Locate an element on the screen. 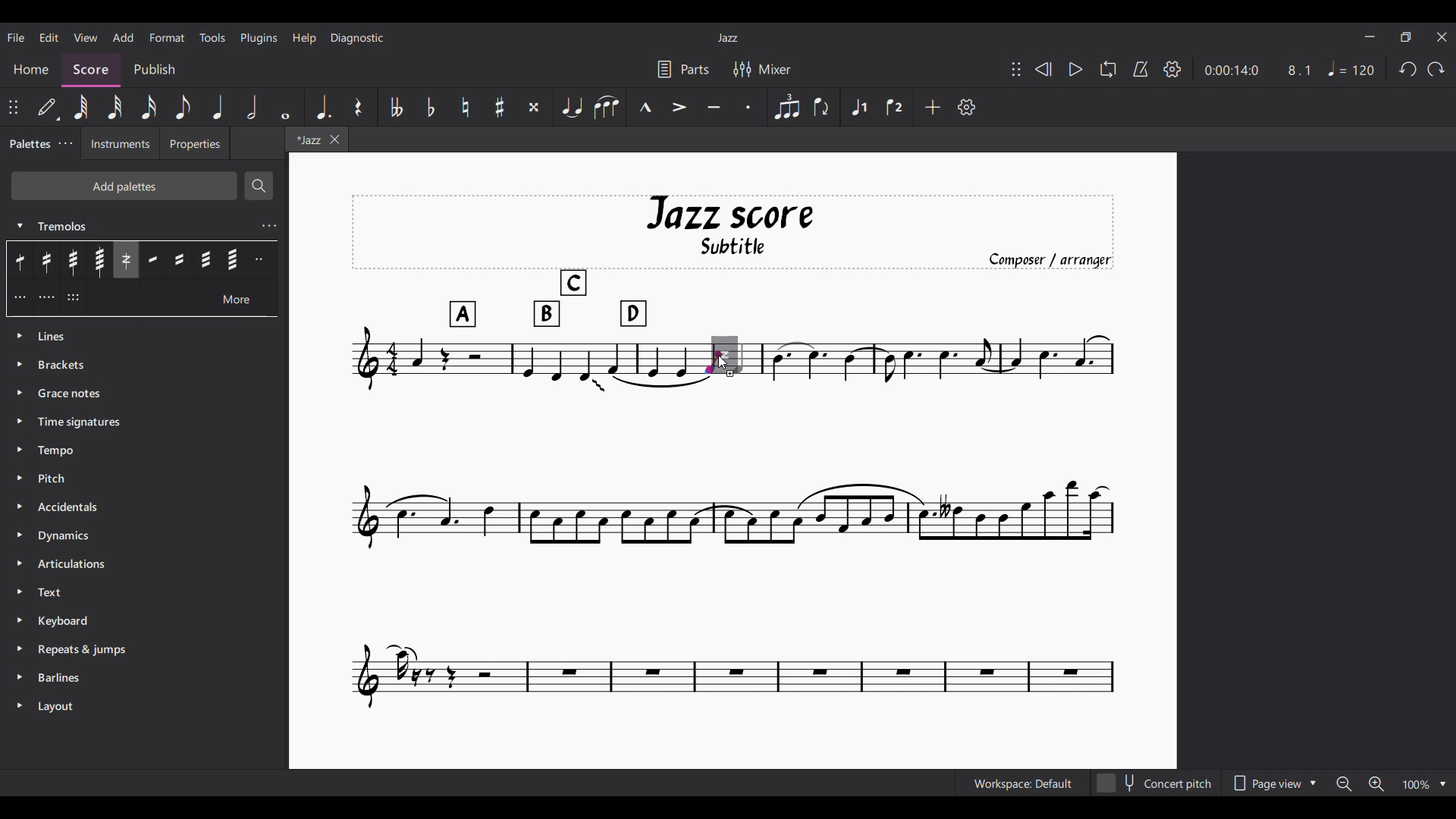 The image size is (1456, 819). Toggle double flat is located at coordinates (396, 106).